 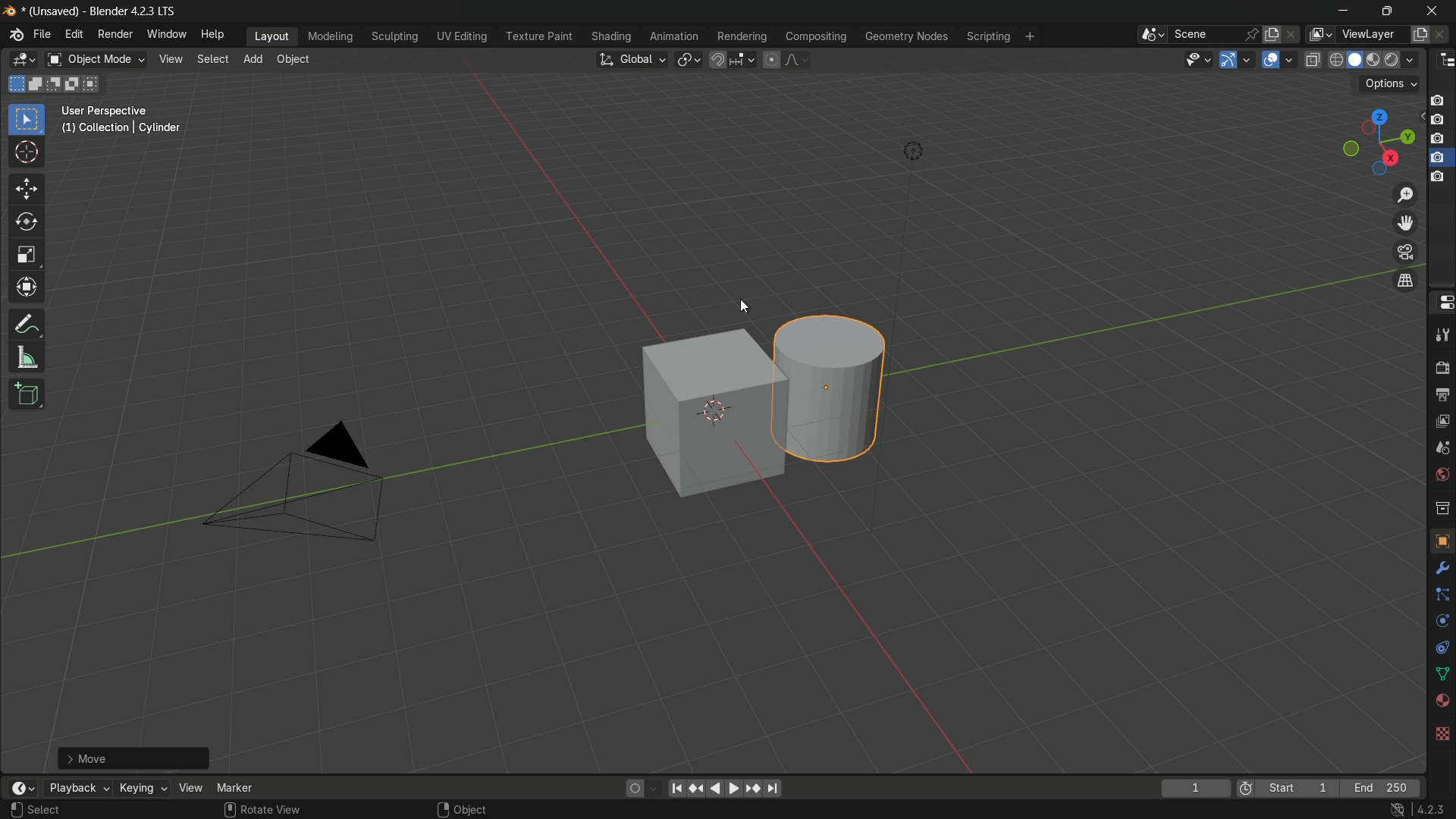 I want to click on modeling menu, so click(x=330, y=37).